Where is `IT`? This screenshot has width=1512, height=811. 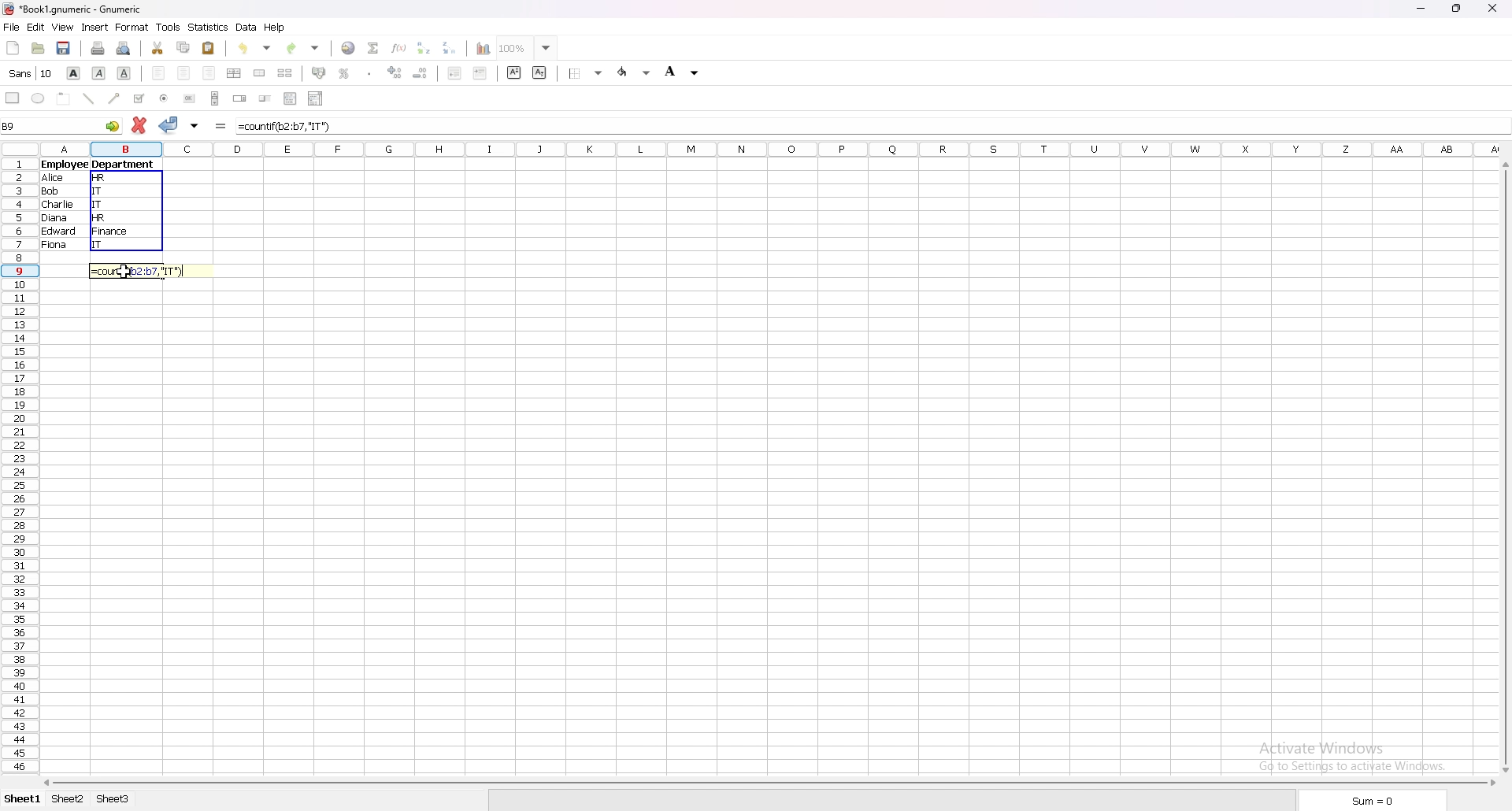
IT is located at coordinates (101, 246).